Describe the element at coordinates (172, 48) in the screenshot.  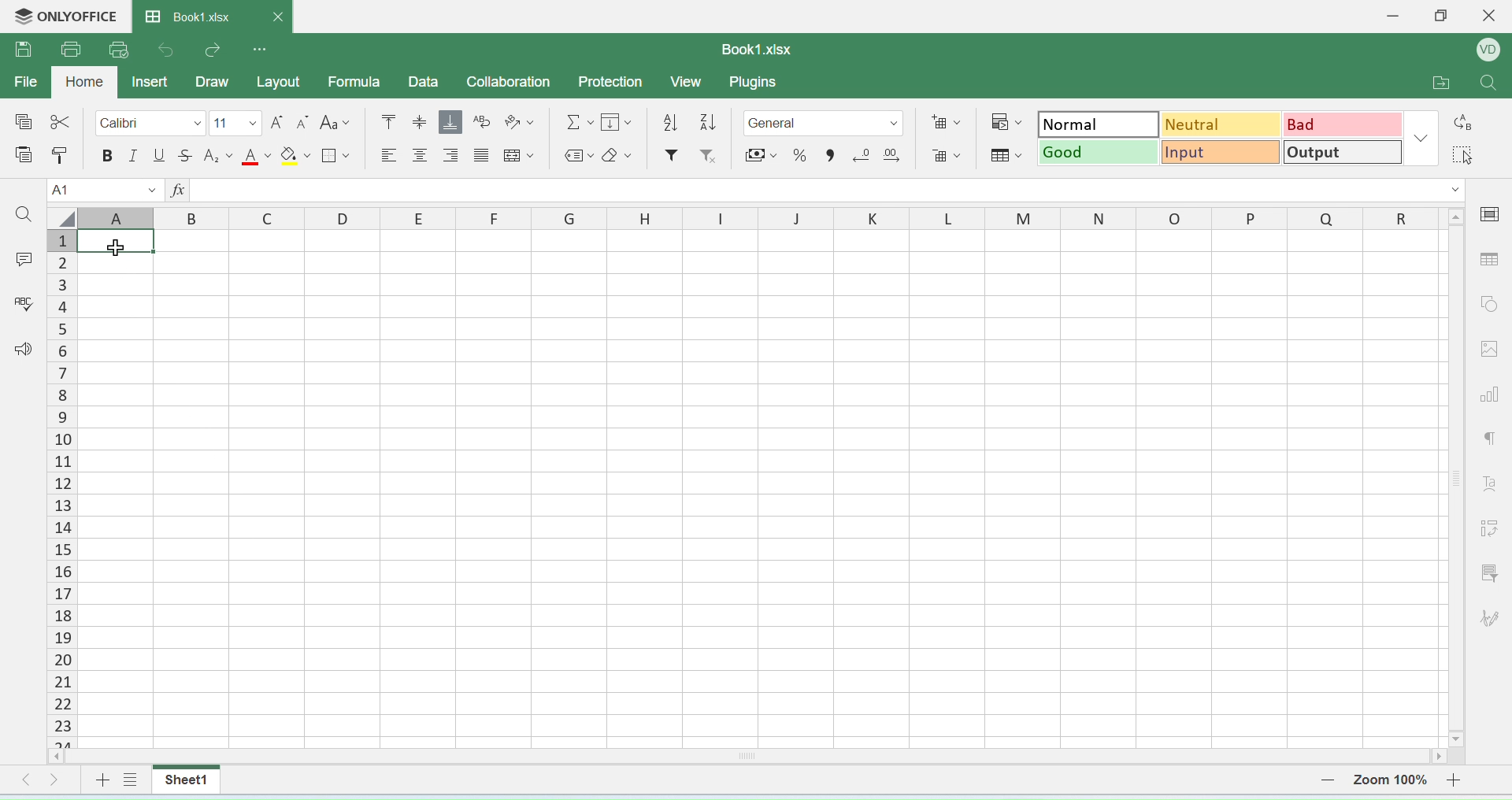
I see `undo` at that location.